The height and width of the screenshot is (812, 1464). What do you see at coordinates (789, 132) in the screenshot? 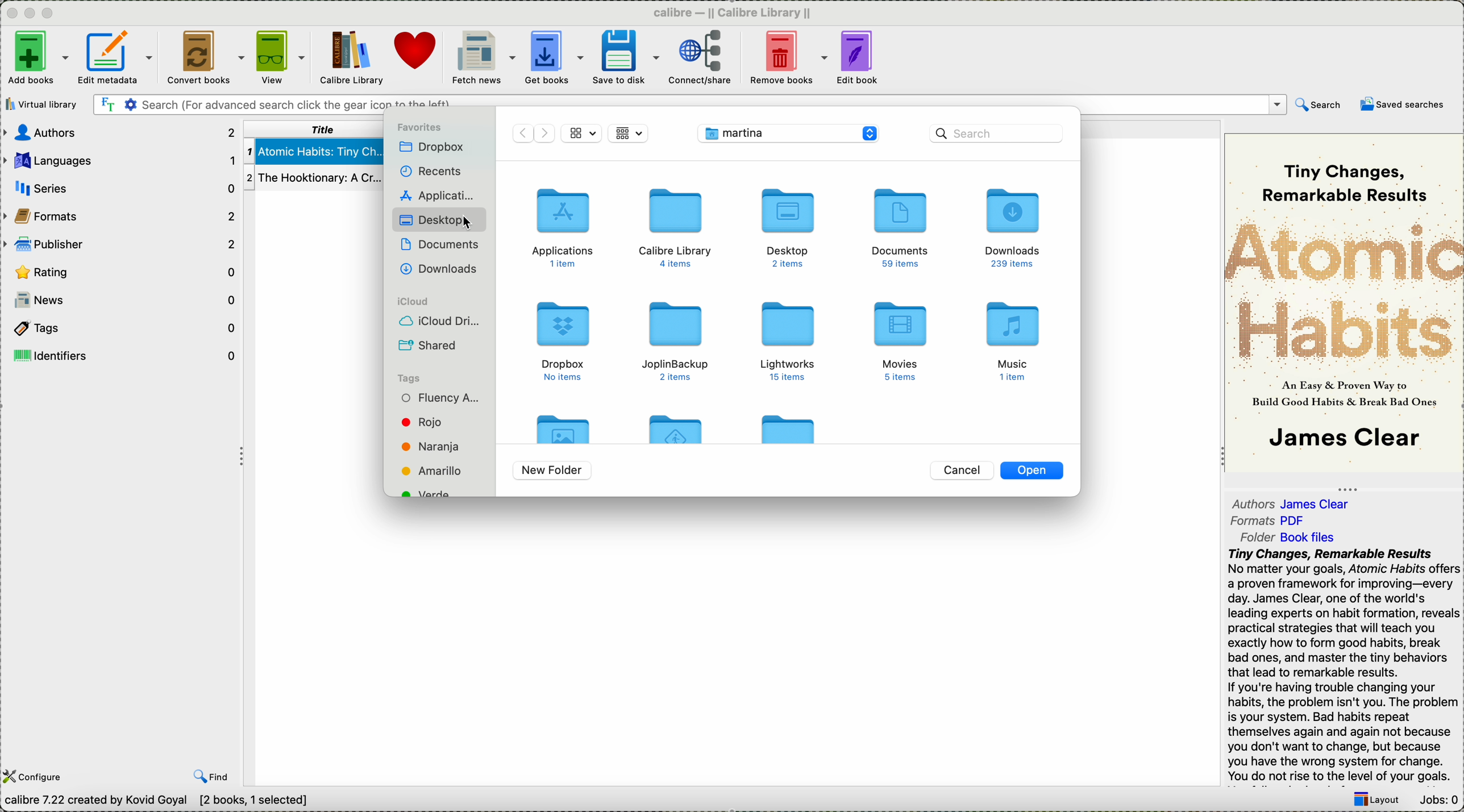
I see `location` at bounding box center [789, 132].